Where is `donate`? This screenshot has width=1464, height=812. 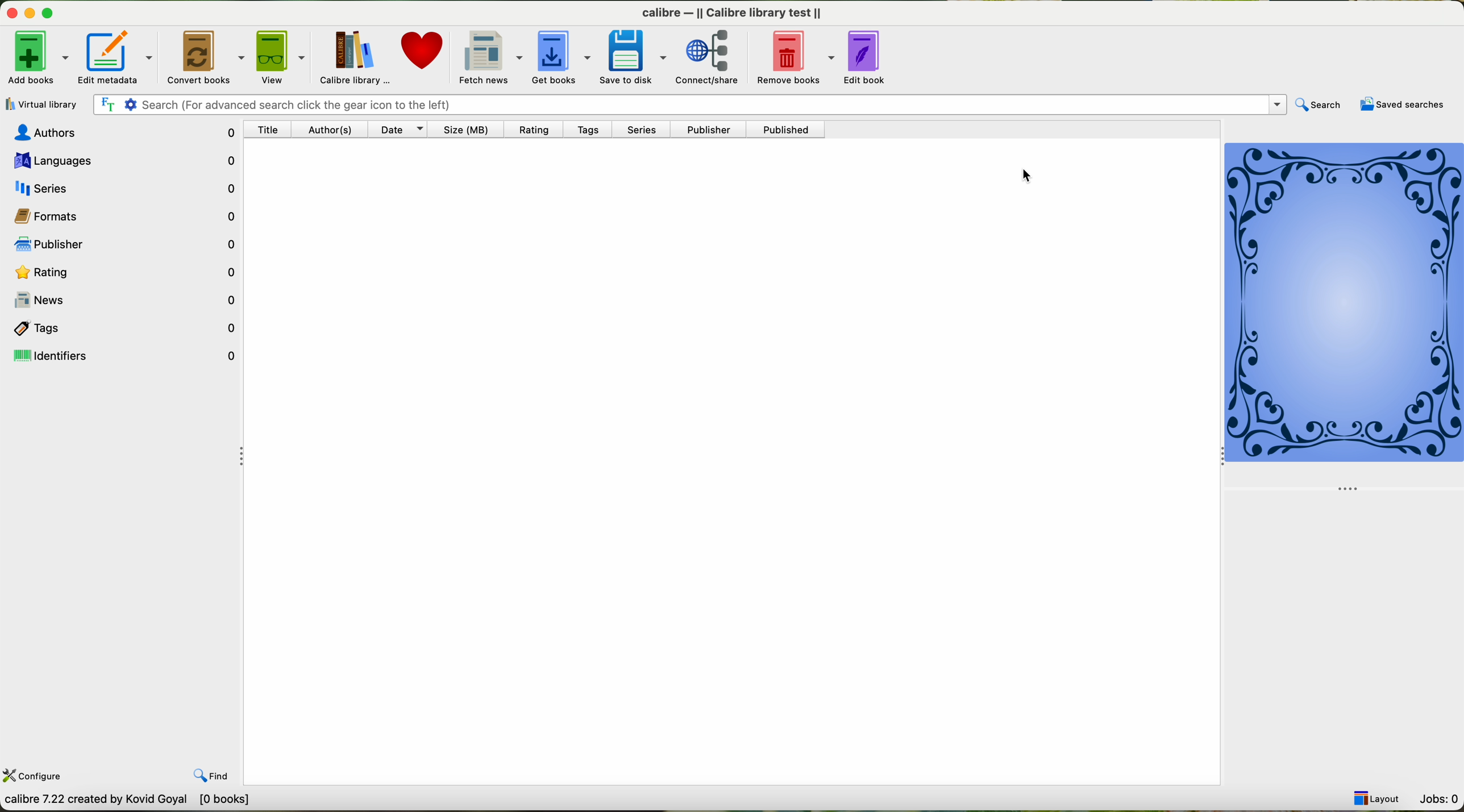 donate is located at coordinates (414, 56).